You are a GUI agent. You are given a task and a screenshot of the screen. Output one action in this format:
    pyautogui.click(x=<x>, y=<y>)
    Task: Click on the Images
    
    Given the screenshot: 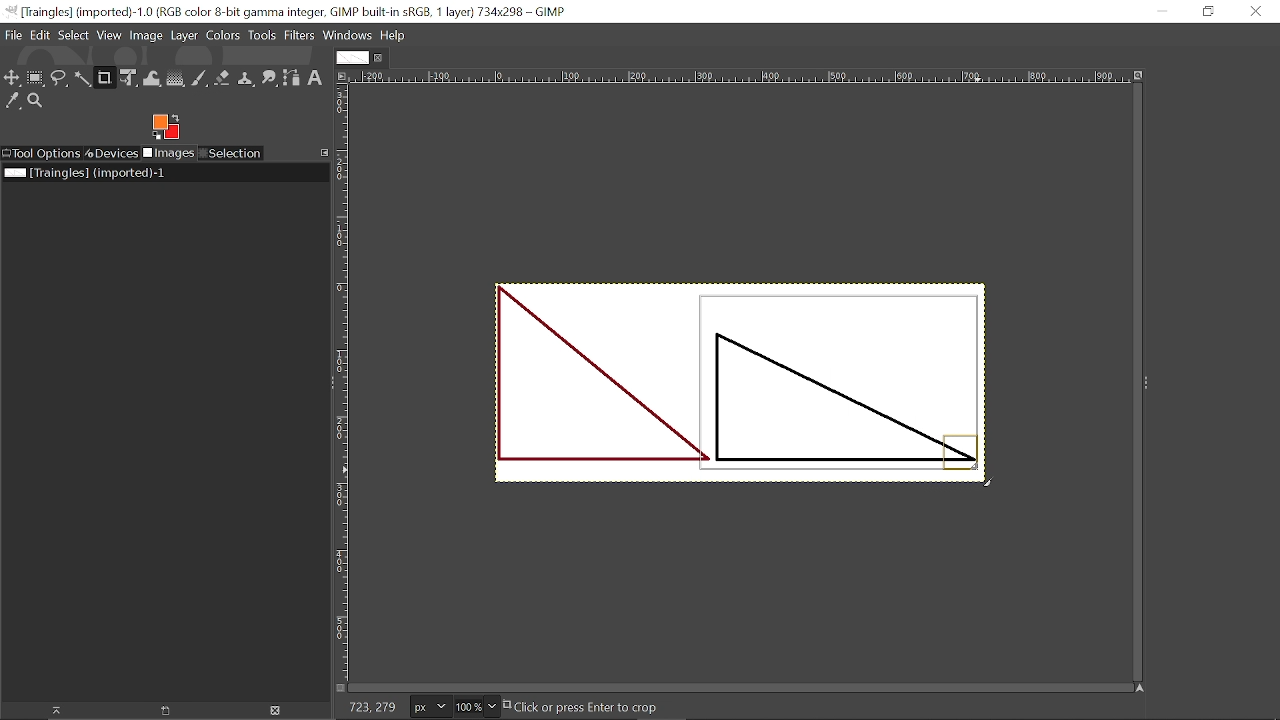 What is the action you would take?
    pyautogui.click(x=168, y=153)
    